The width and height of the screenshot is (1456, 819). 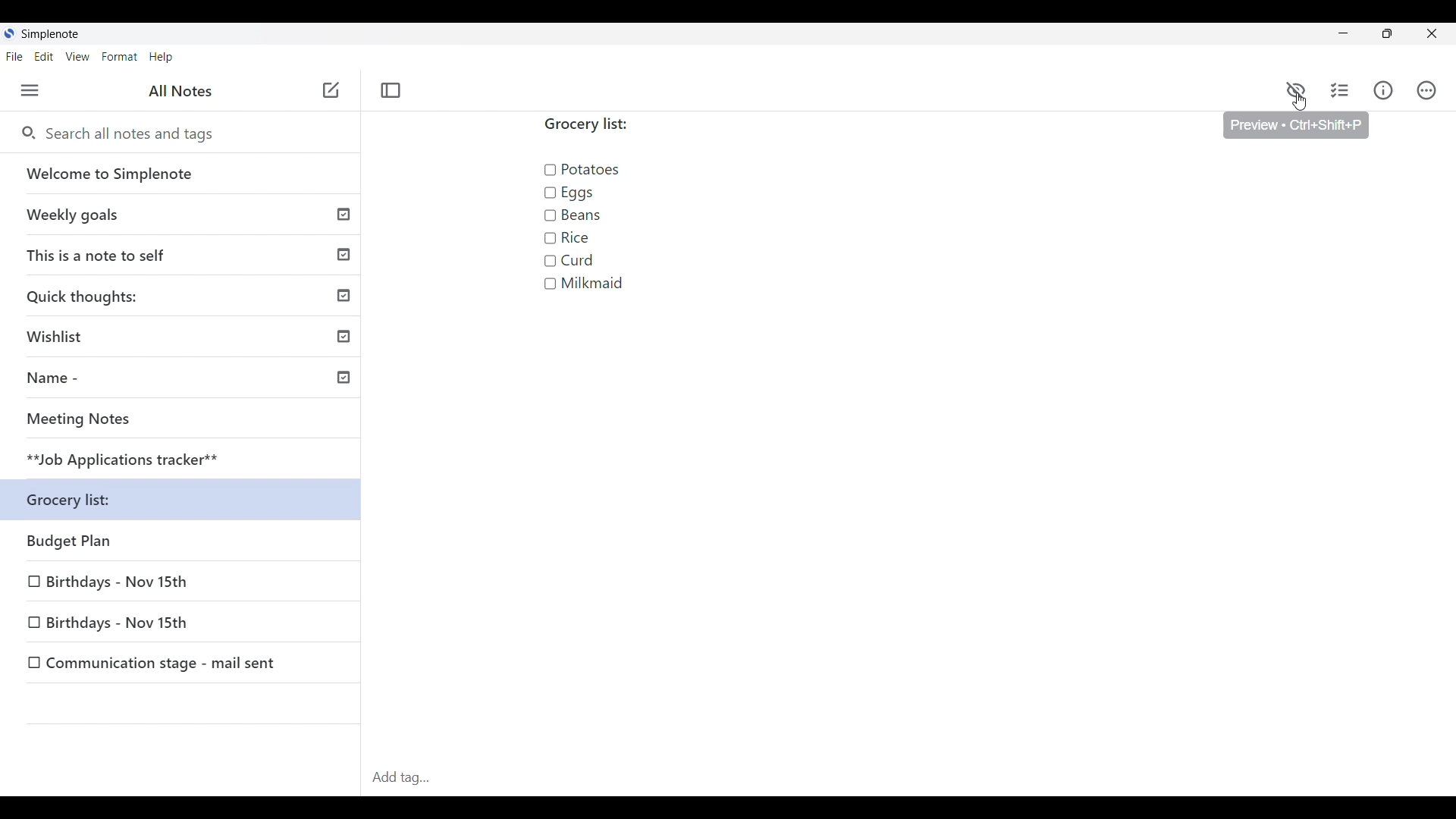 What do you see at coordinates (183, 623) in the screenshot?
I see `Birthdays - Nov 15th` at bounding box center [183, 623].